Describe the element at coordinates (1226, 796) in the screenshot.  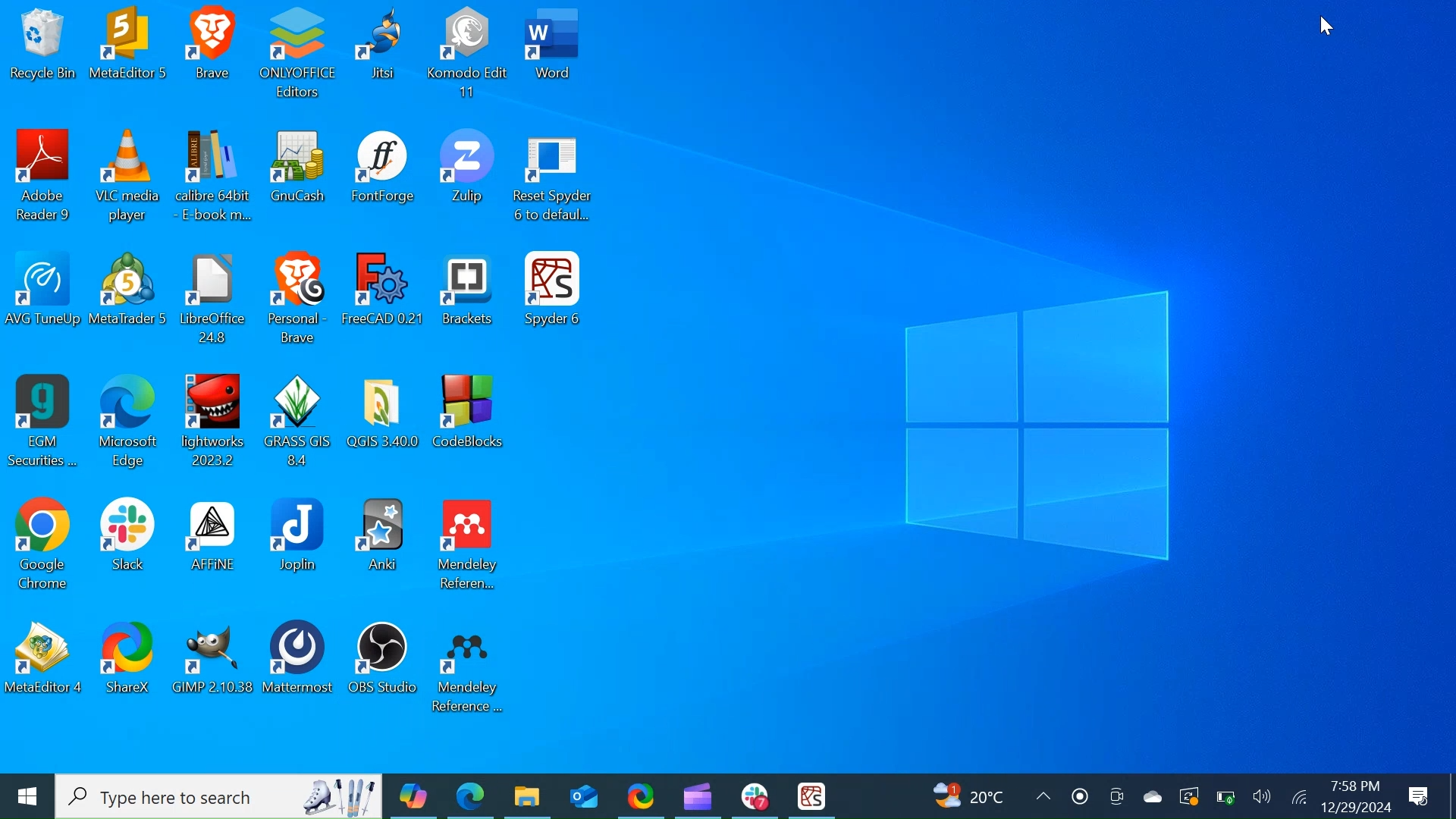
I see `Charge` at that location.